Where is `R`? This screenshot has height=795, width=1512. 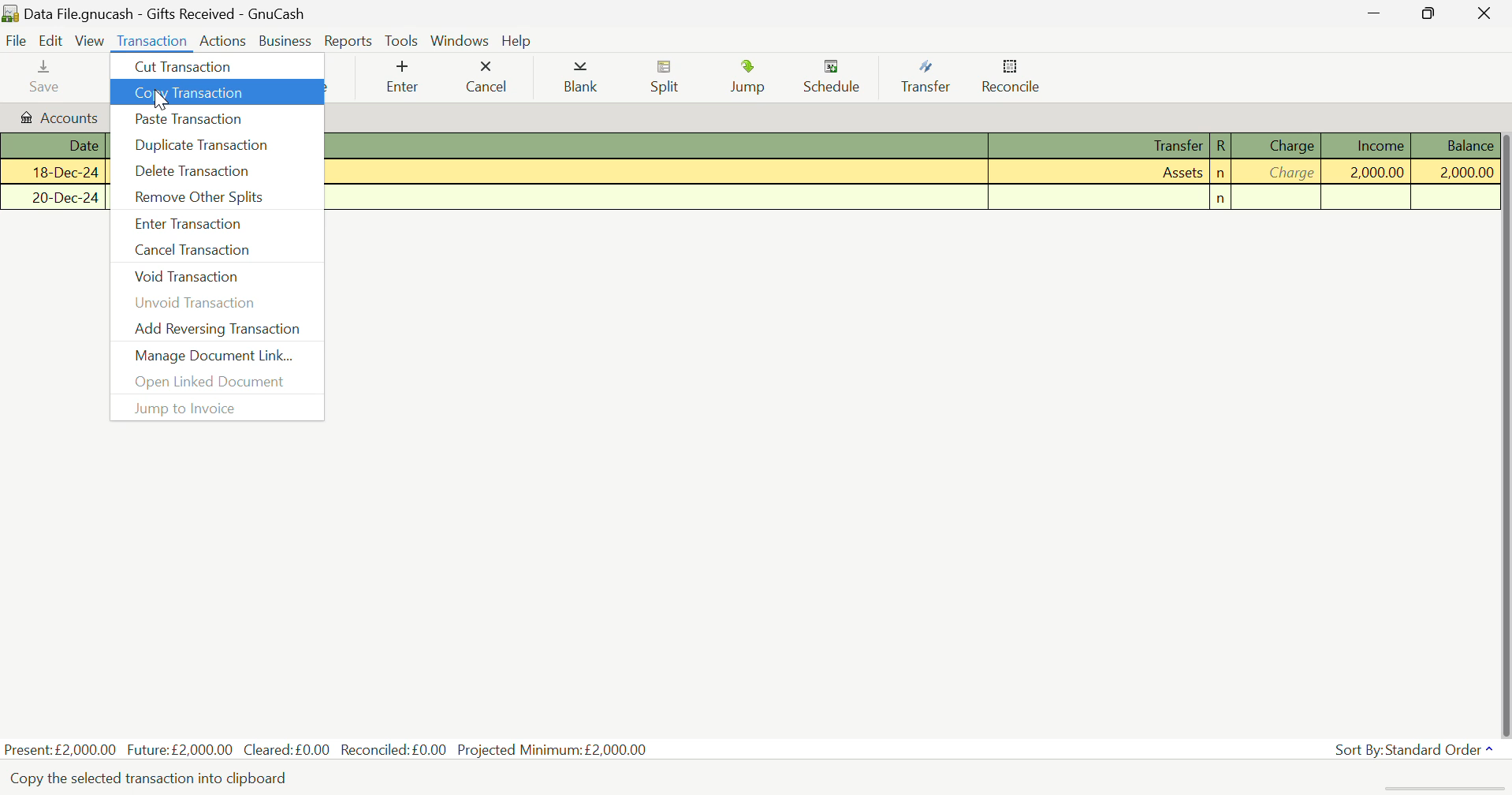 R is located at coordinates (1220, 146).